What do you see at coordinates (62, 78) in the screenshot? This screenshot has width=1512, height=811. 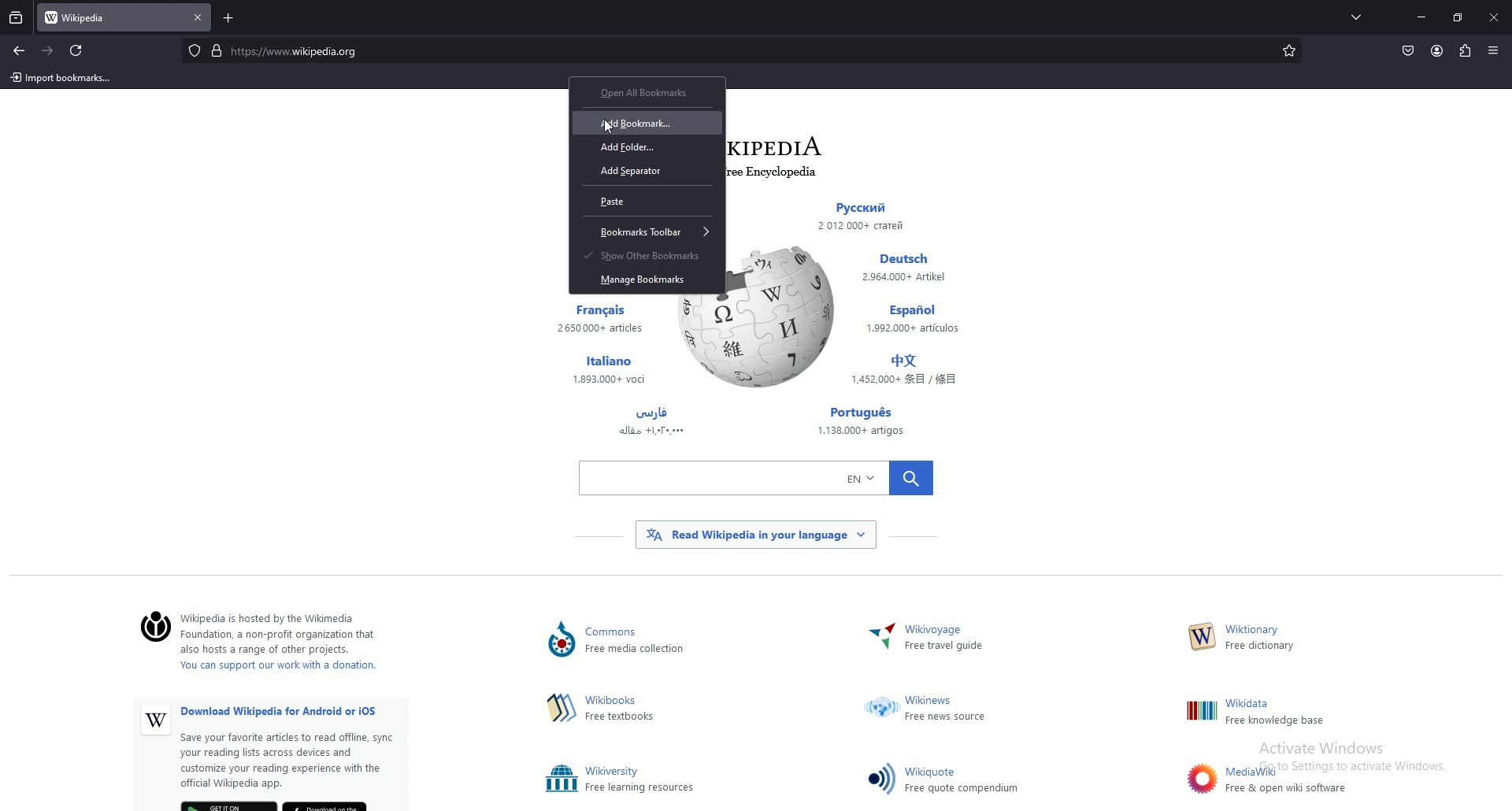 I see `import bookmarks` at bounding box center [62, 78].